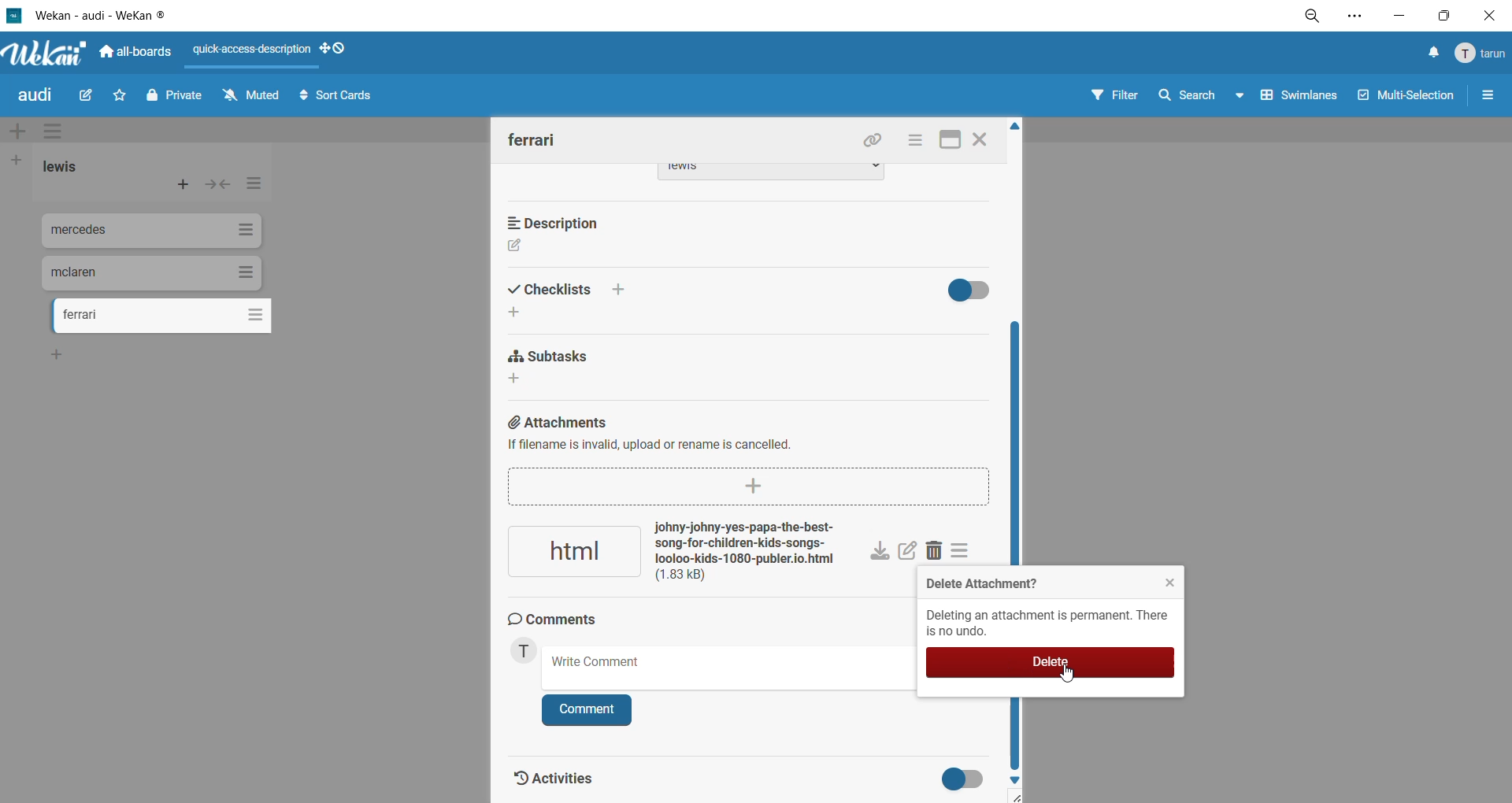 This screenshot has height=803, width=1512. What do you see at coordinates (1201, 98) in the screenshot?
I see `search` at bounding box center [1201, 98].